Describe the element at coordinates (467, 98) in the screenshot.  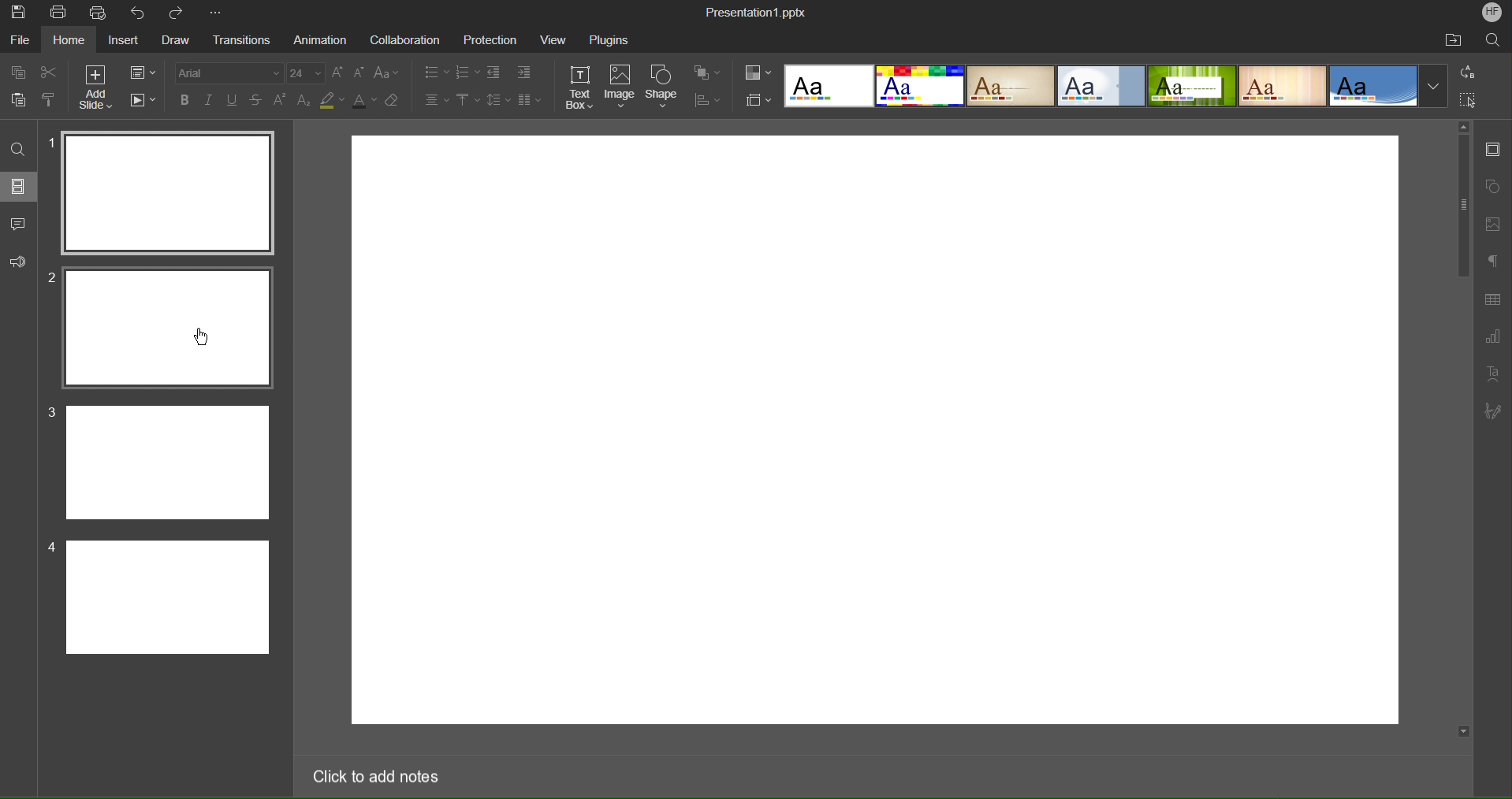
I see `Vertical Align` at that location.